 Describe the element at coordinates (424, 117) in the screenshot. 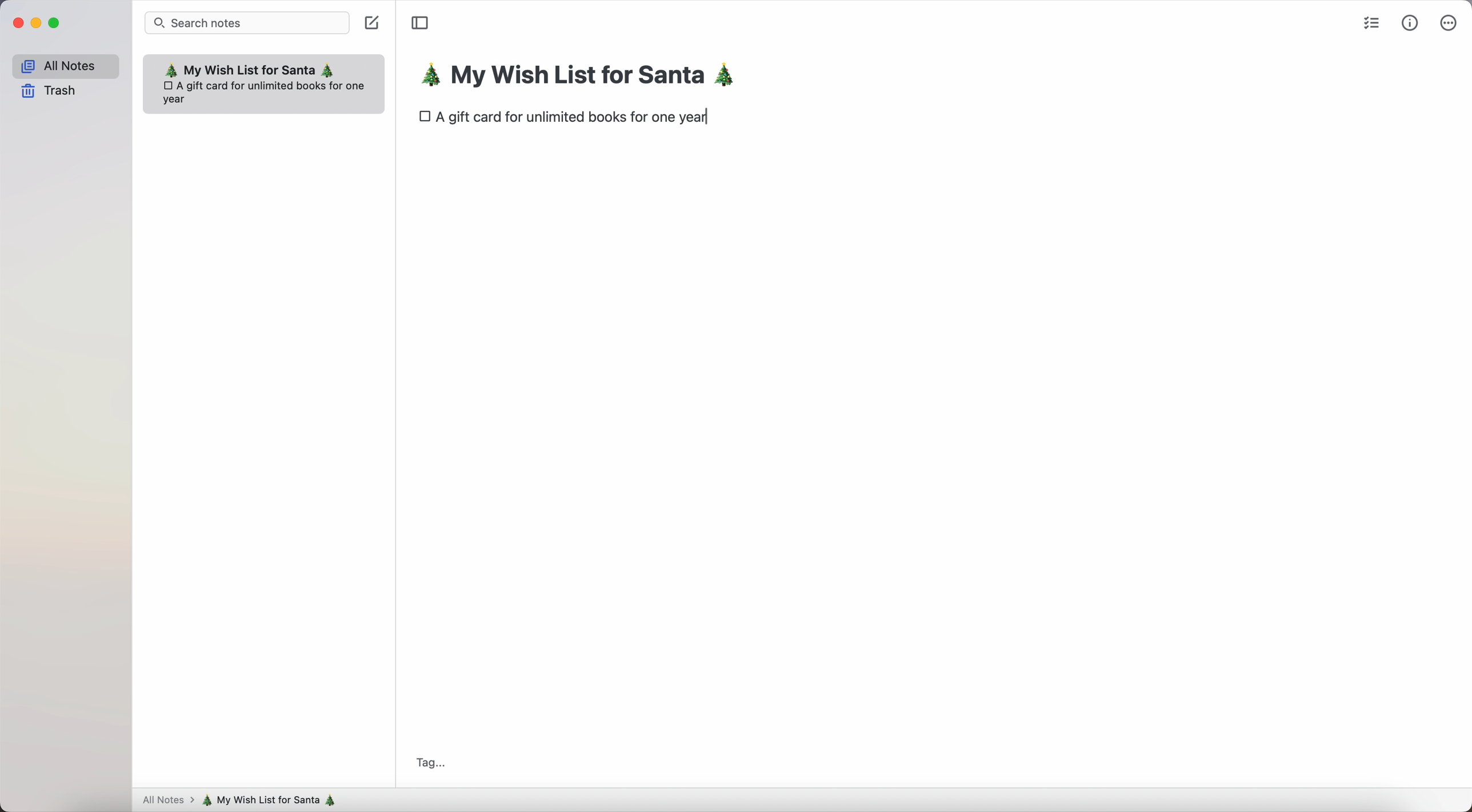

I see `checkbox` at that location.